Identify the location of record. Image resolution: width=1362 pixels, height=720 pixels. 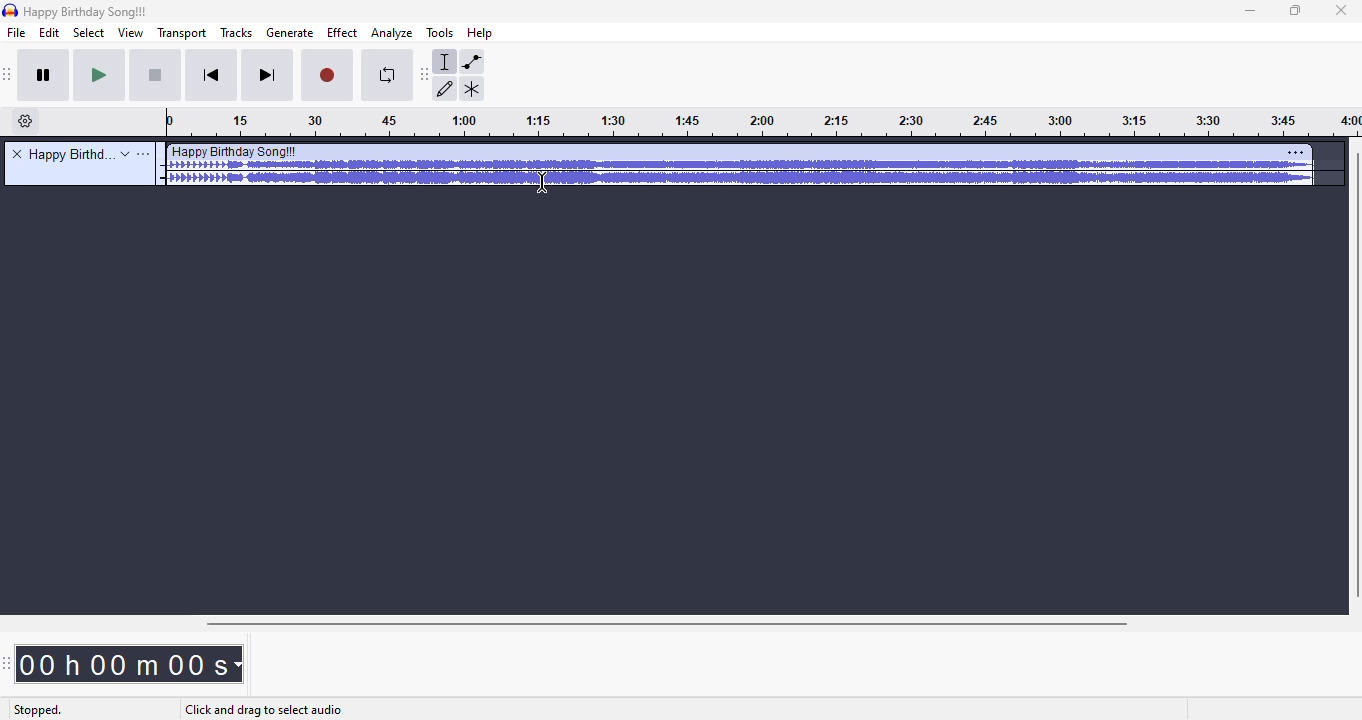
(328, 77).